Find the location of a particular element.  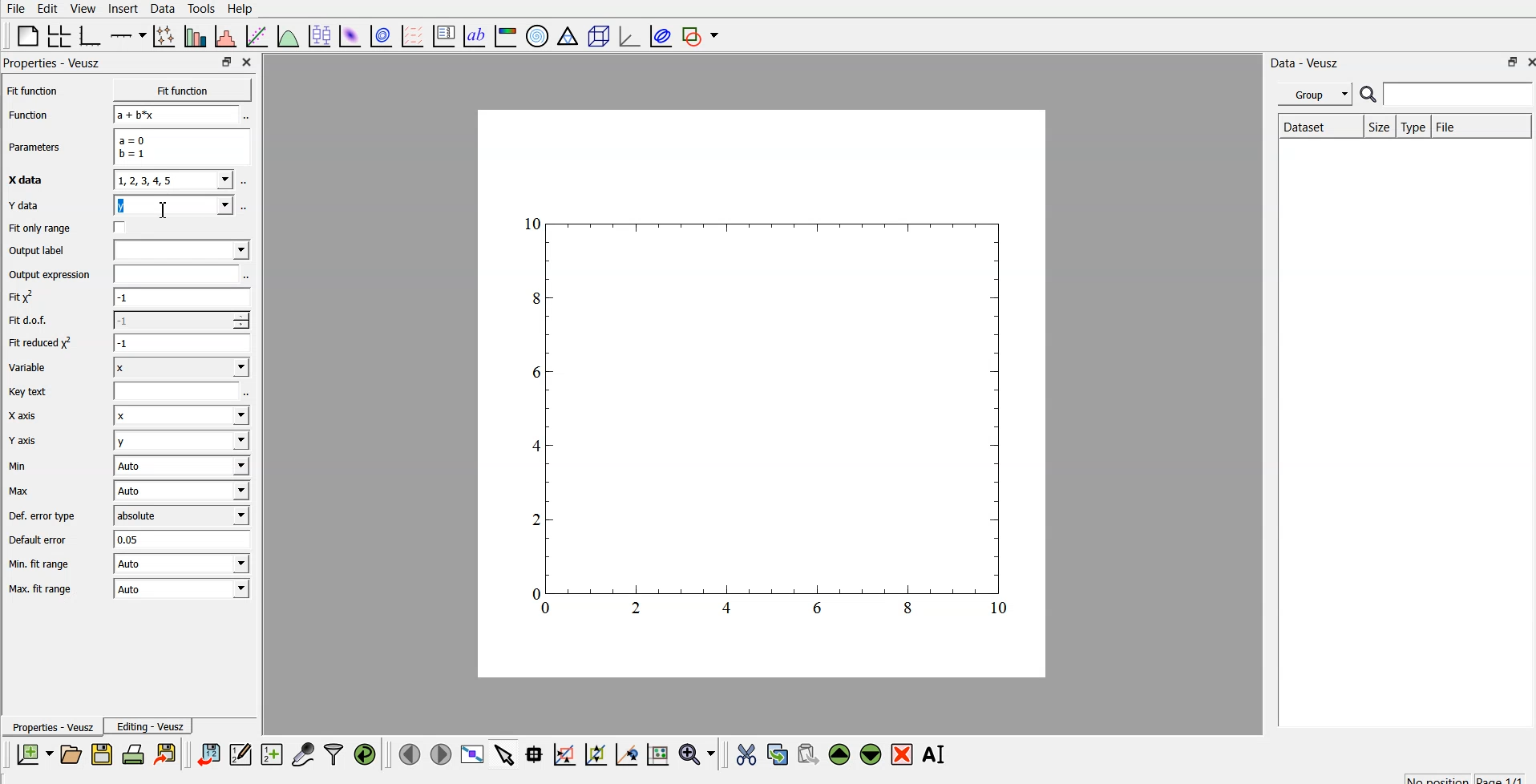

open a new document is located at coordinates (71, 757).